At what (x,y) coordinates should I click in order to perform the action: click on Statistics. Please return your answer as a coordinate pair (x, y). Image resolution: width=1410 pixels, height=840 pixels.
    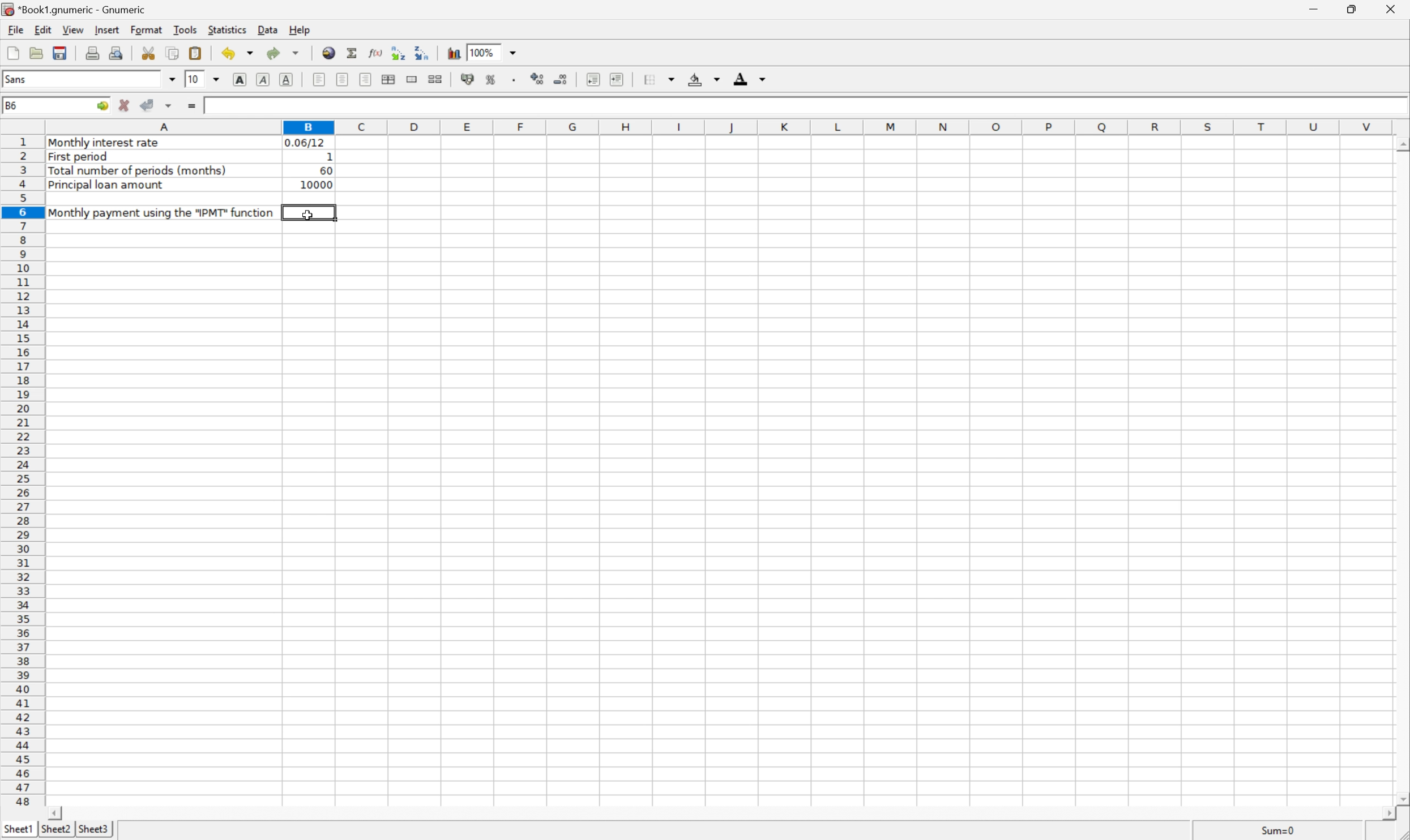
    Looking at the image, I should click on (227, 28).